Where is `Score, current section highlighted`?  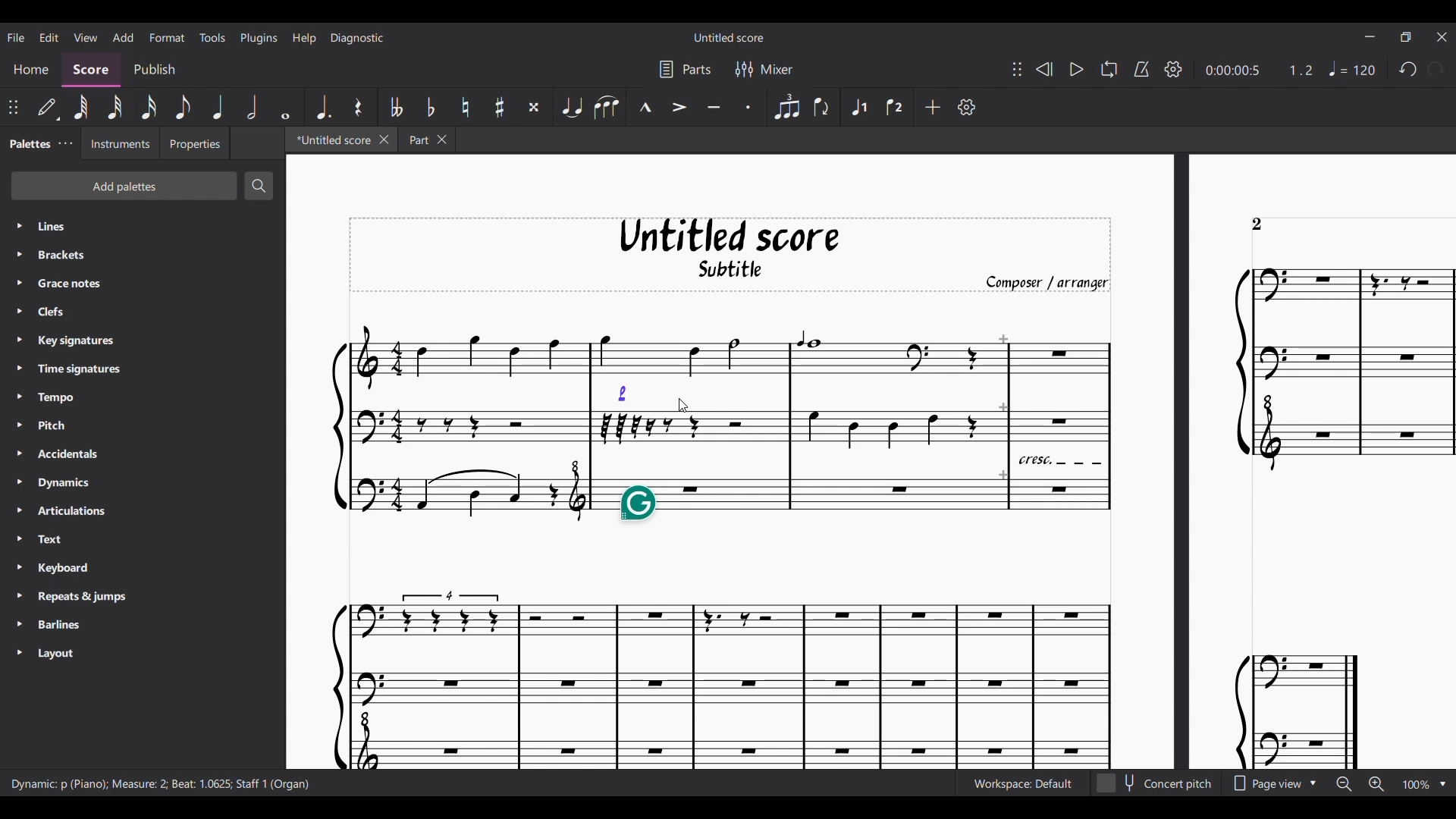
Score, current section highlighted is located at coordinates (91, 71).